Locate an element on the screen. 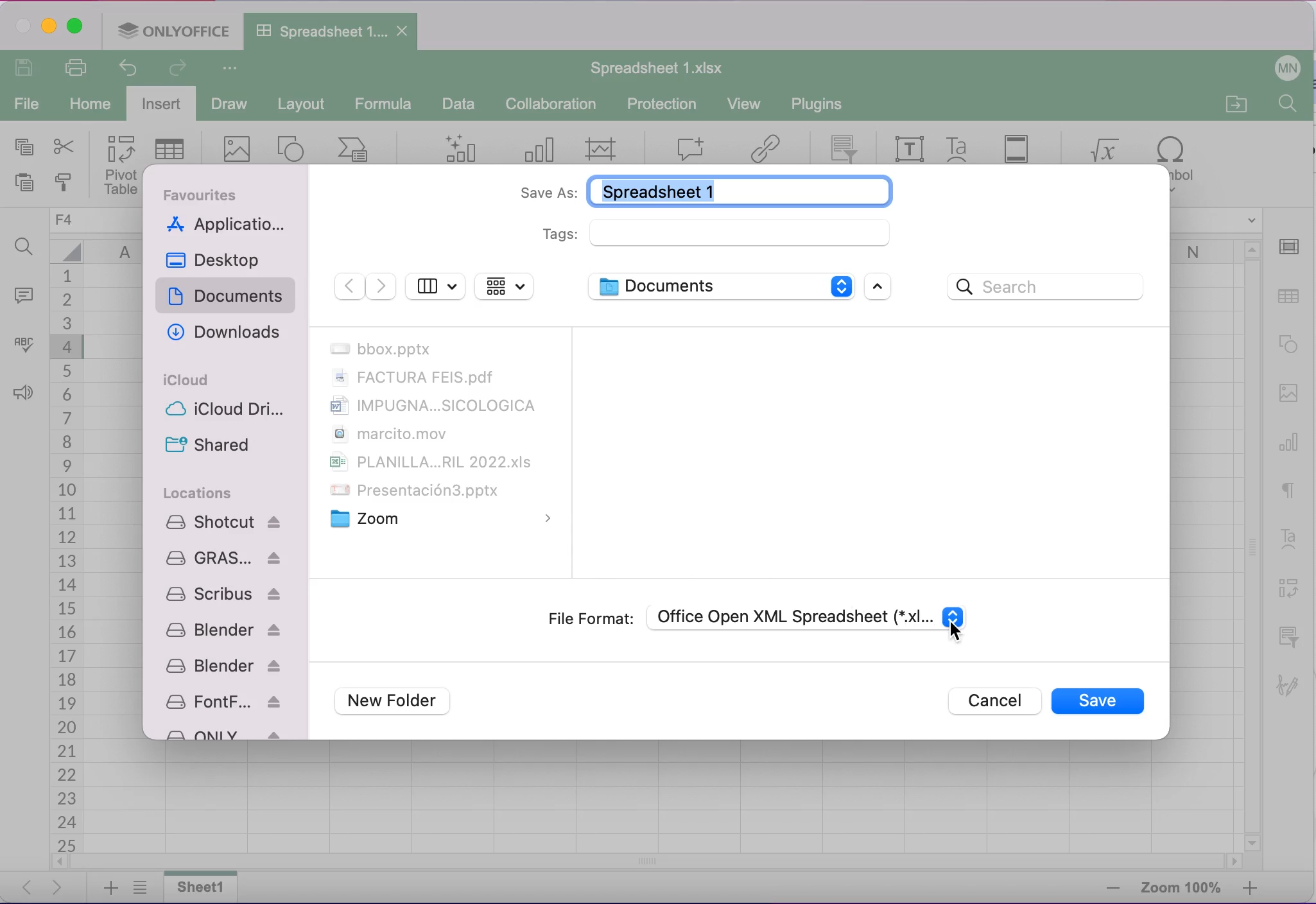 This screenshot has height=904, width=1316. shared is located at coordinates (207, 445).